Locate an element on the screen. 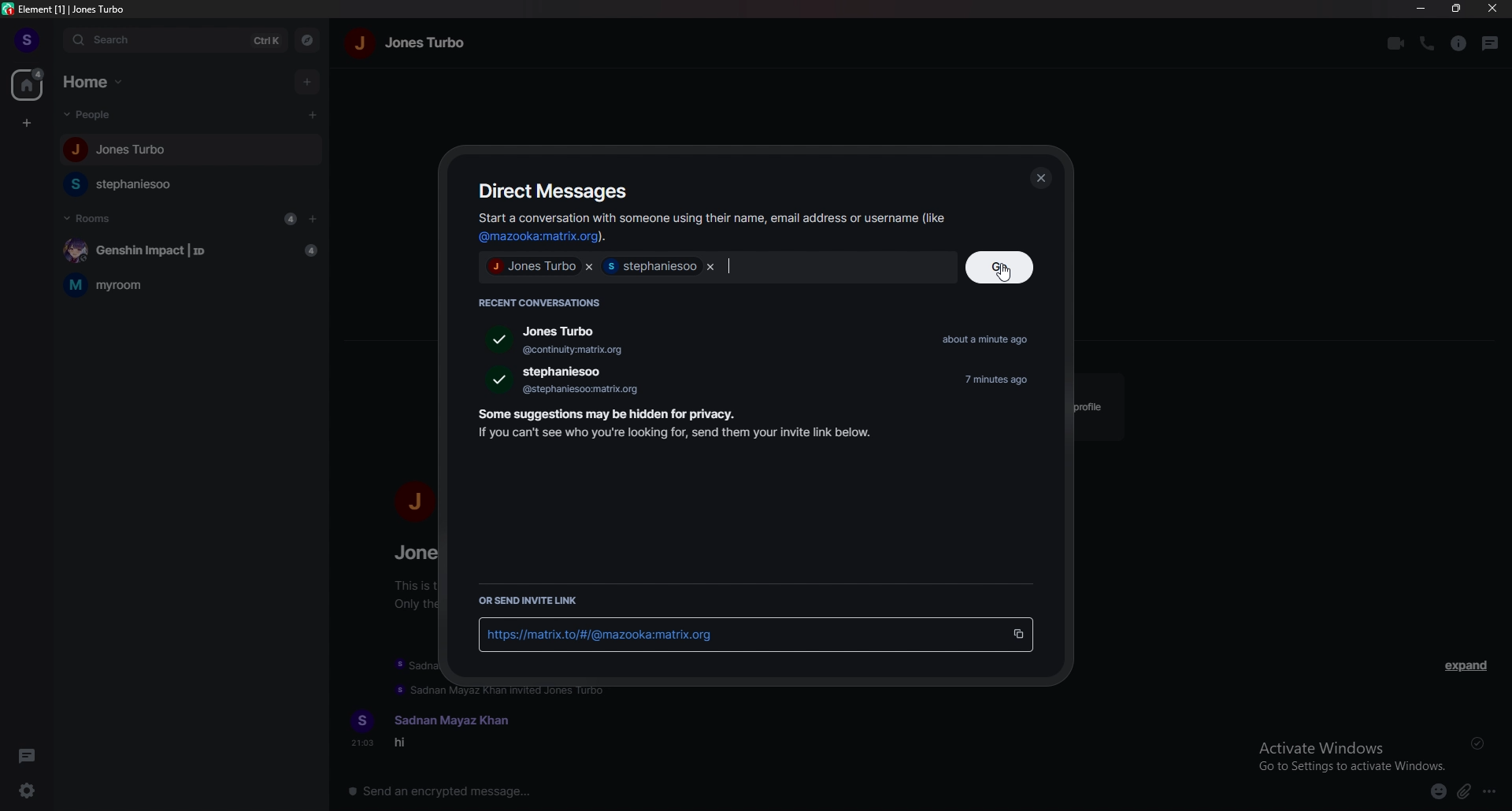  copy invite link is located at coordinates (1017, 635).